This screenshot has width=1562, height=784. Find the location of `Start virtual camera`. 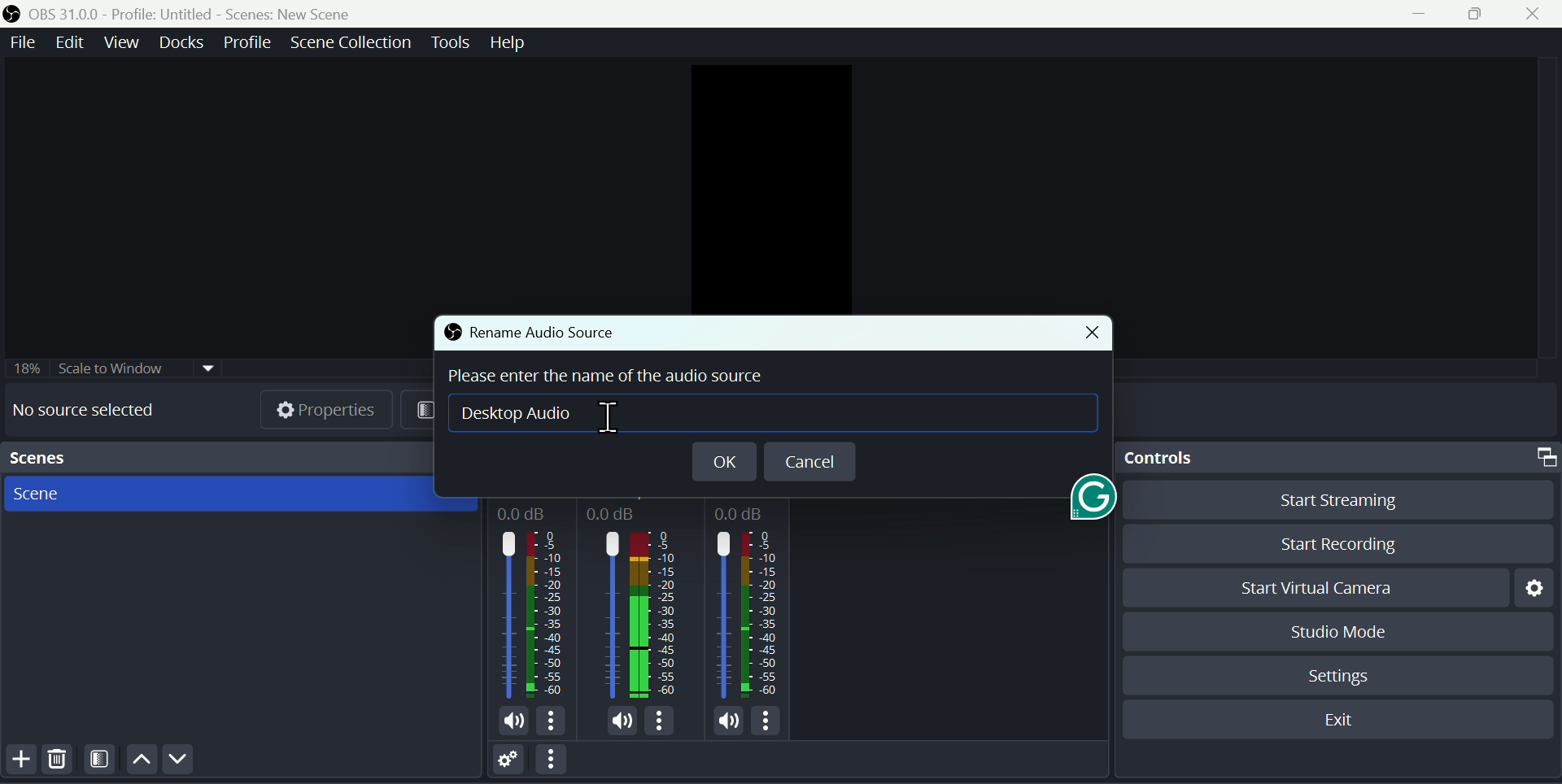

Start virtual camera is located at coordinates (1315, 585).